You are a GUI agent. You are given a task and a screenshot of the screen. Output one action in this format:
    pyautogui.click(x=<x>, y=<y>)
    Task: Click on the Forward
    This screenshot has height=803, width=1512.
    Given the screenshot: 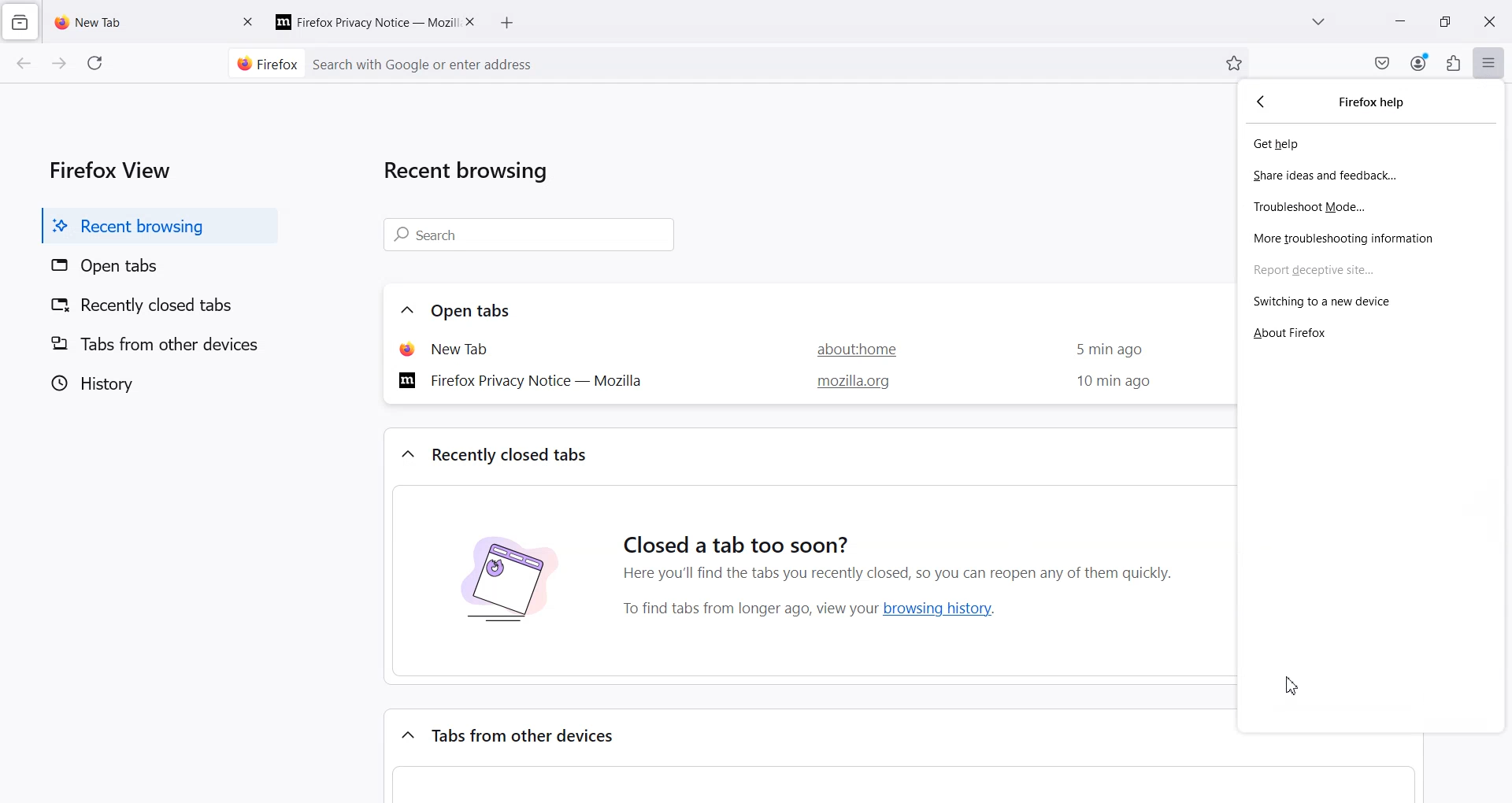 What is the action you would take?
    pyautogui.click(x=58, y=65)
    